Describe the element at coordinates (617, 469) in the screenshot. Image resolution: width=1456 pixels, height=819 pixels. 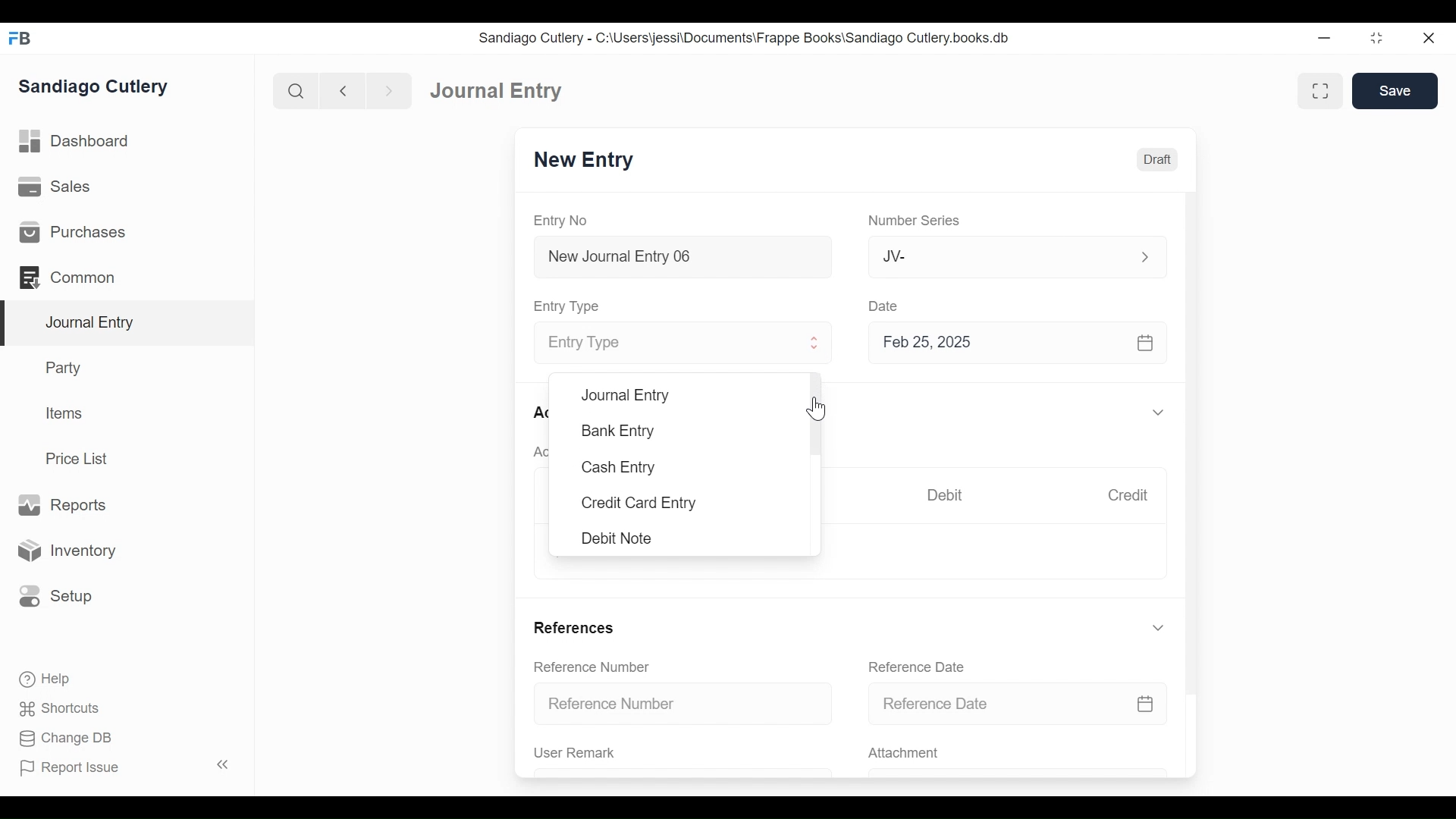
I see `Cash Entry` at that location.